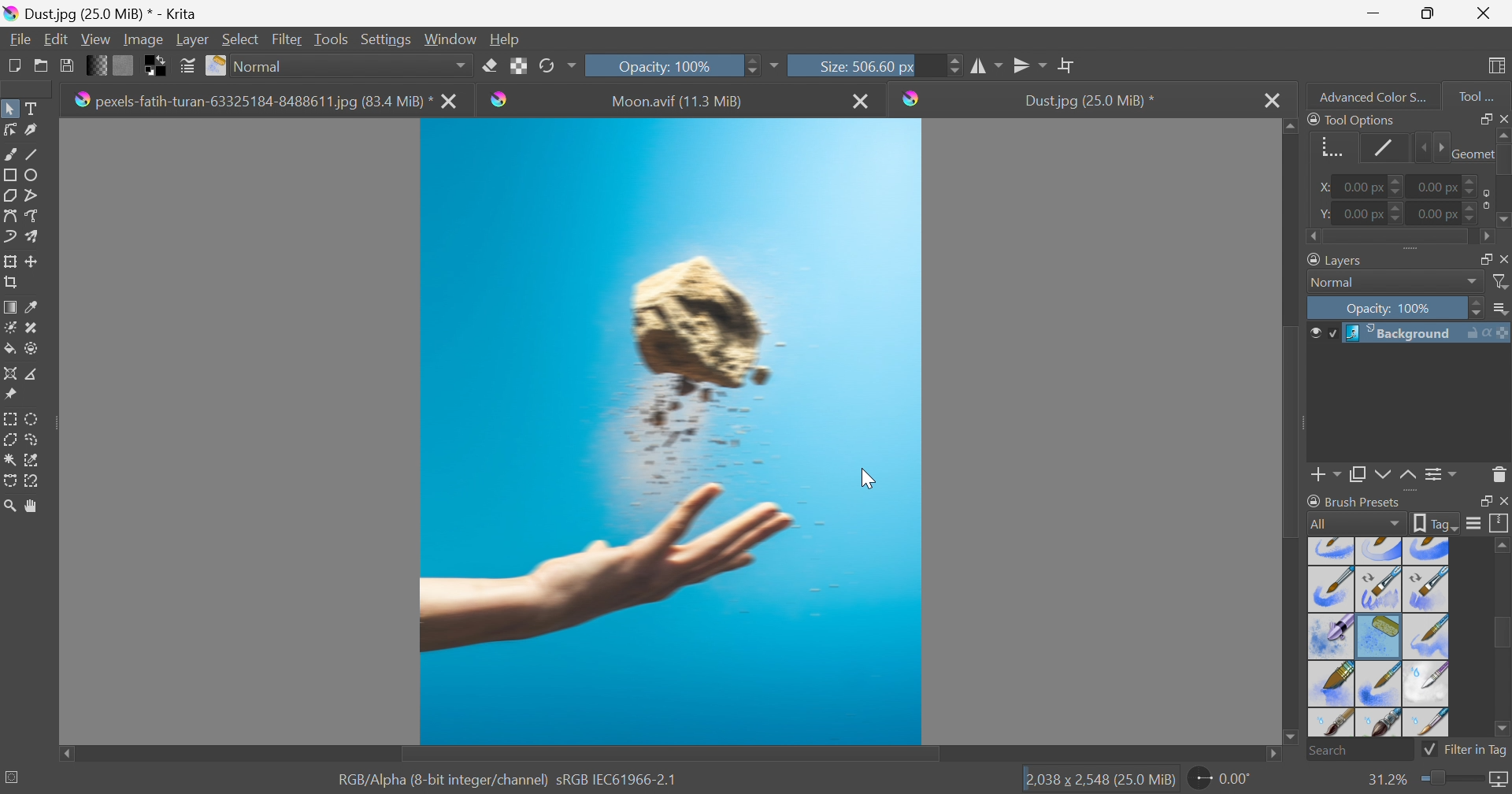 The height and width of the screenshot is (794, 1512). I want to click on Window, so click(451, 38).